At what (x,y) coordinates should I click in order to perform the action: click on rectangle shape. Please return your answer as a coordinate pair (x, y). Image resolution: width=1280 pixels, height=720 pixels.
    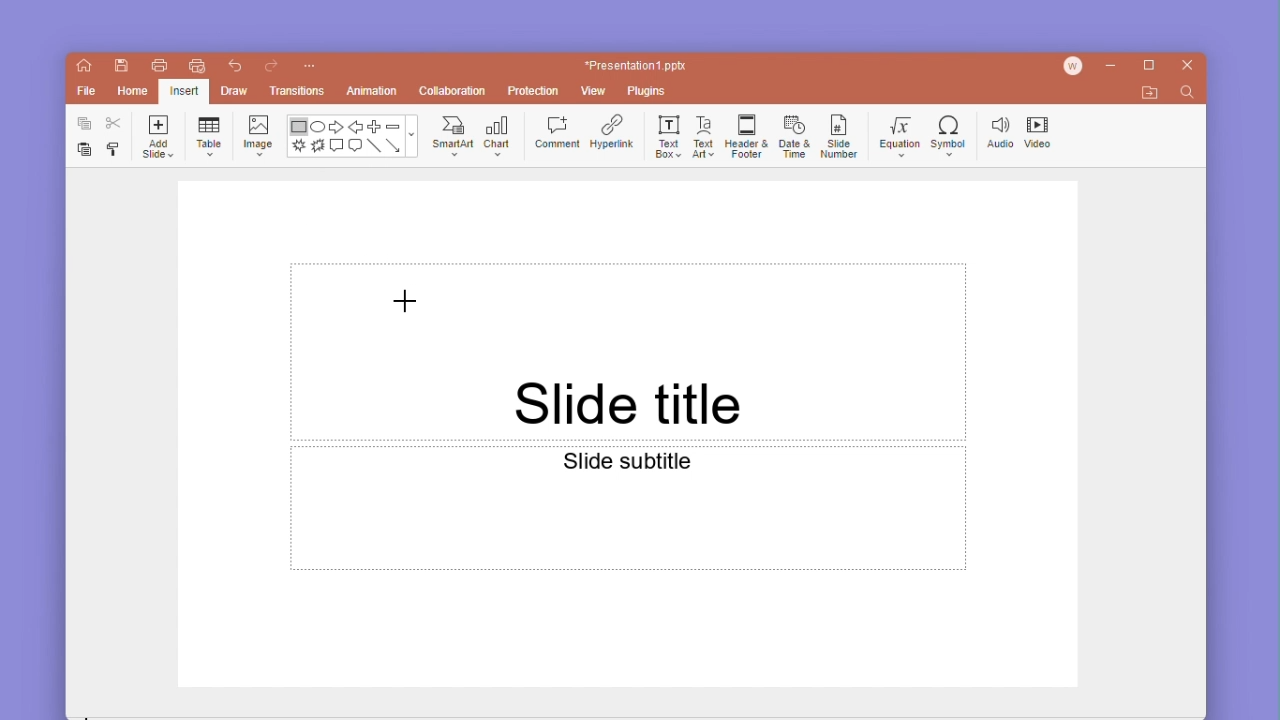
    Looking at the image, I should click on (298, 127).